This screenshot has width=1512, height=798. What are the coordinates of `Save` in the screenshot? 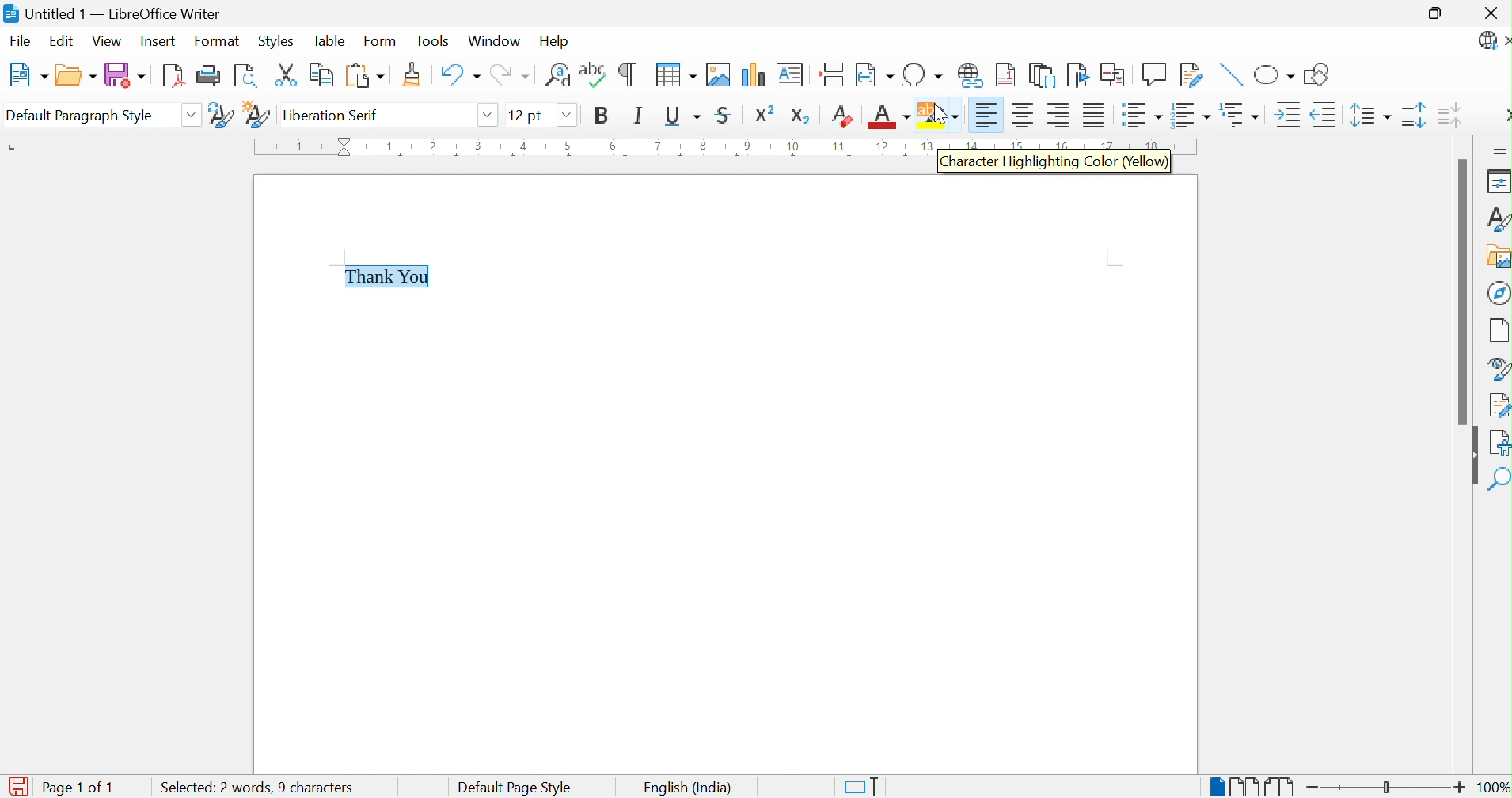 It's located at (124, 75).